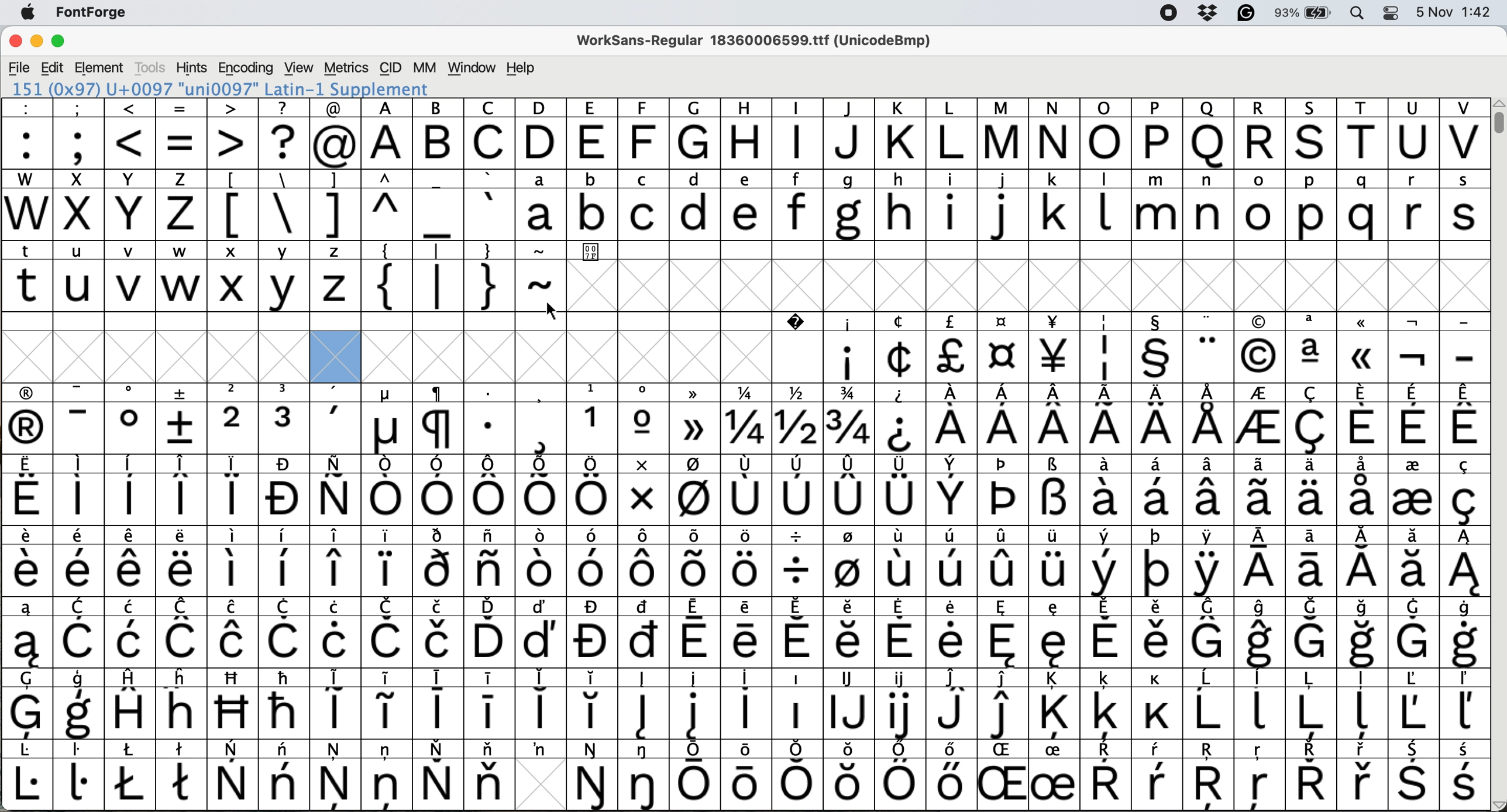 Image resolution: width=1507 pixels, height=812 pixels. What do you see at coordinates (283, 205) in the screenshot?
I see `\` at bounding box center [283, 205].